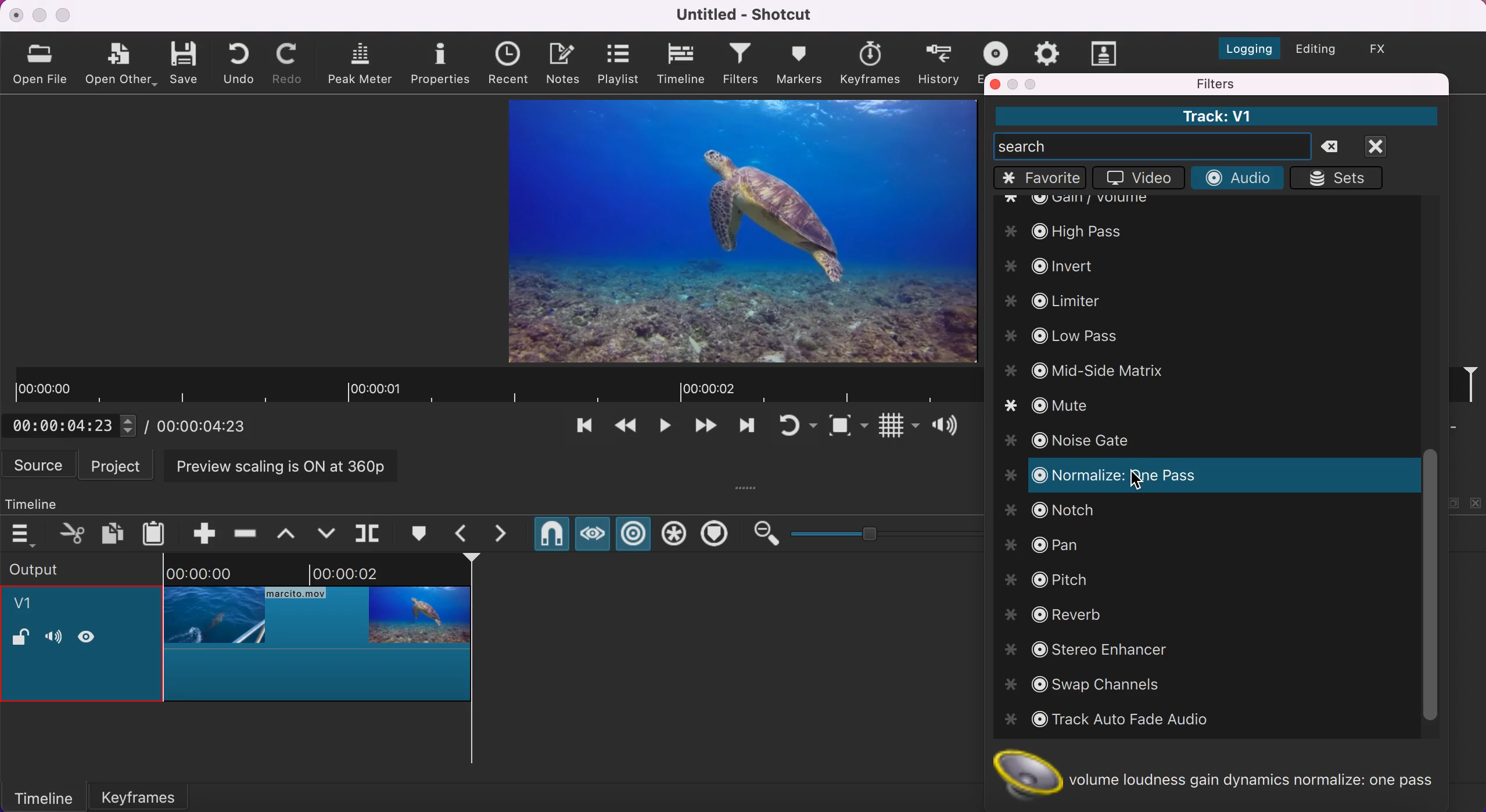 This screenshot has width=1486, height=812. What do you see at coordinates (75, 425) in the screenshot?
I see `current position` at bounding box center [75, 425].